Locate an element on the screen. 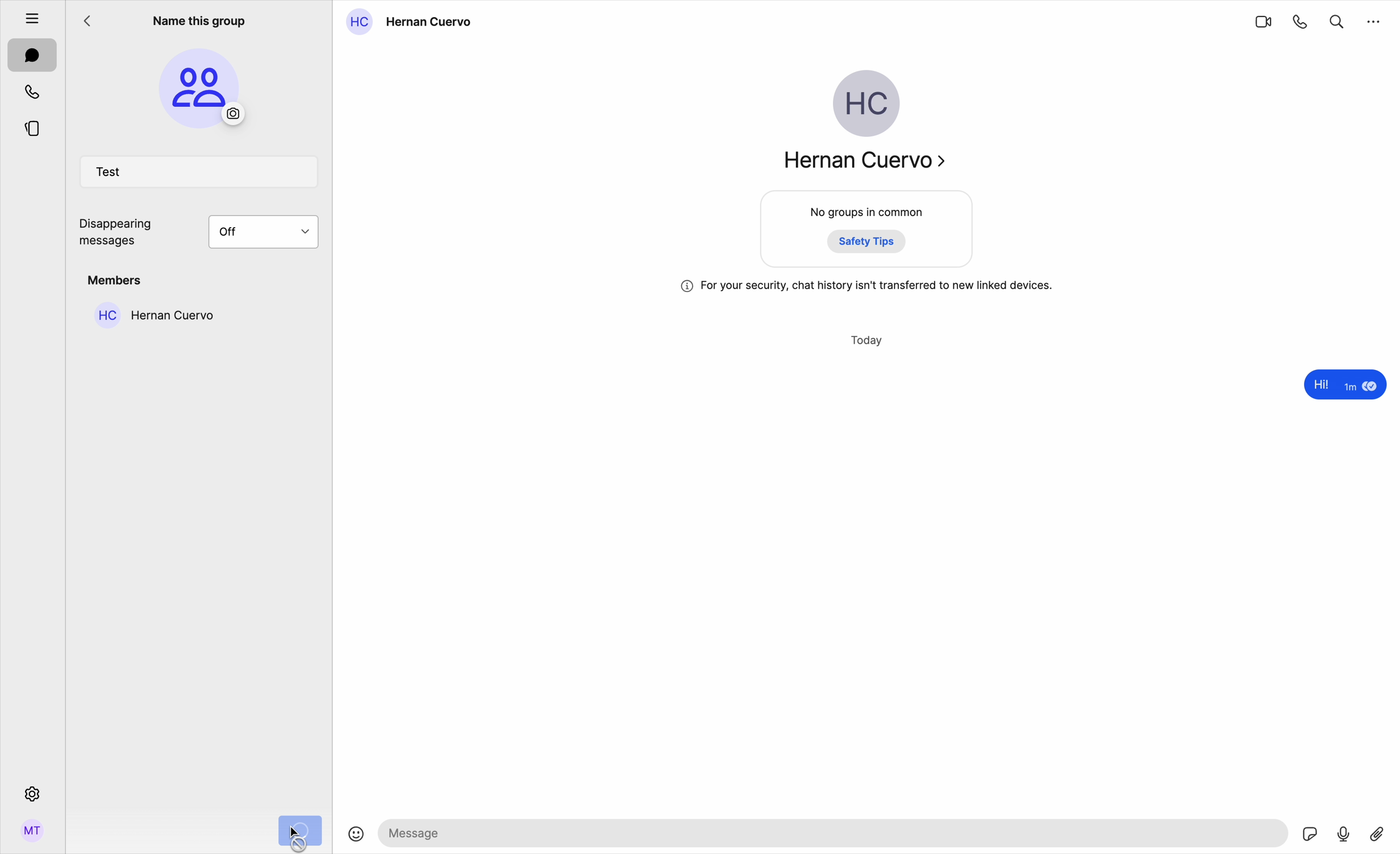 Image resolution: width=1400 pixels, height=854 pixels. picture of the group is located at coordinates (200, 88).